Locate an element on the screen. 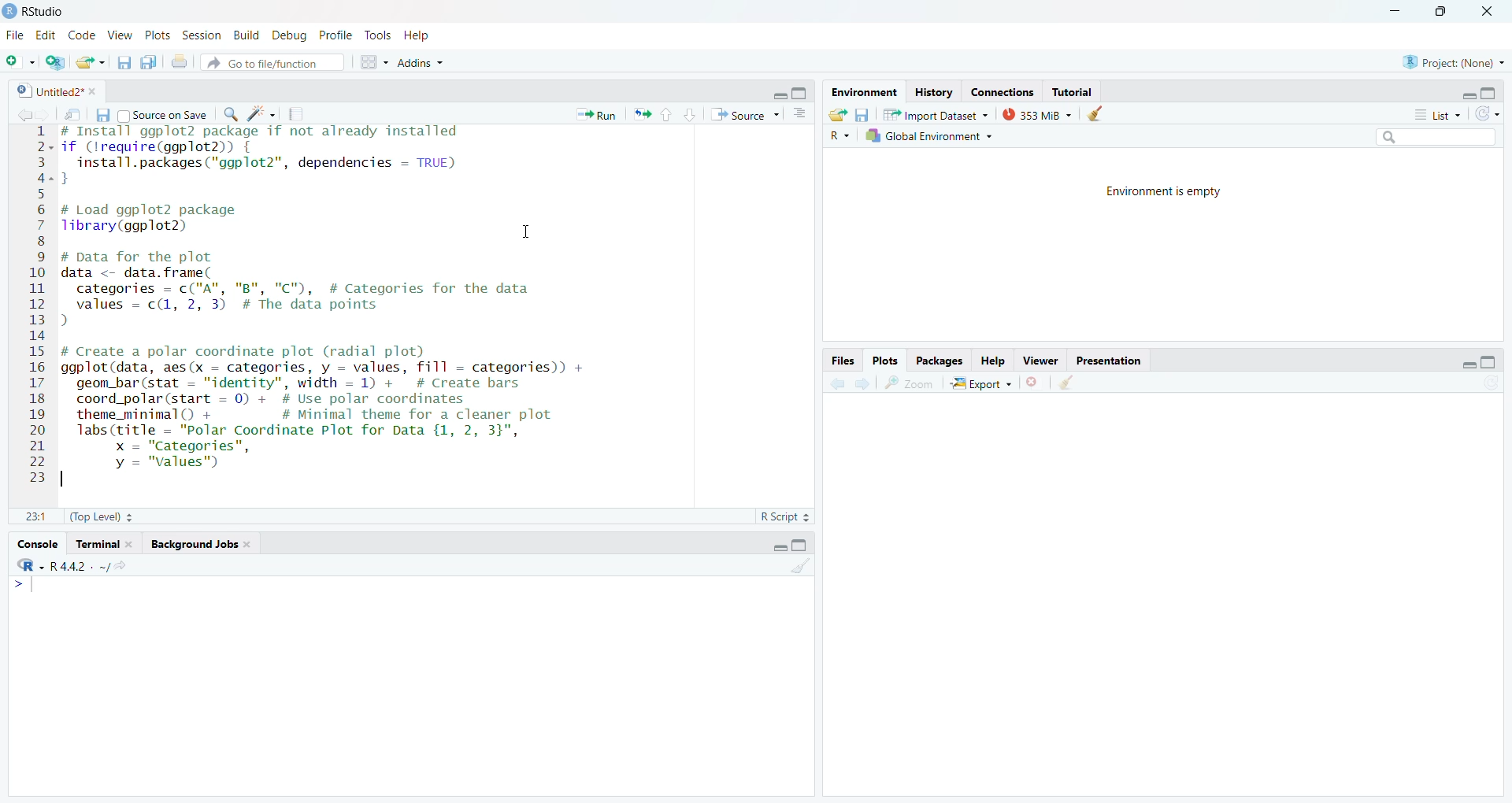 This screenshot has height=803, width=1512. go back is located at coordinates (834, 384).